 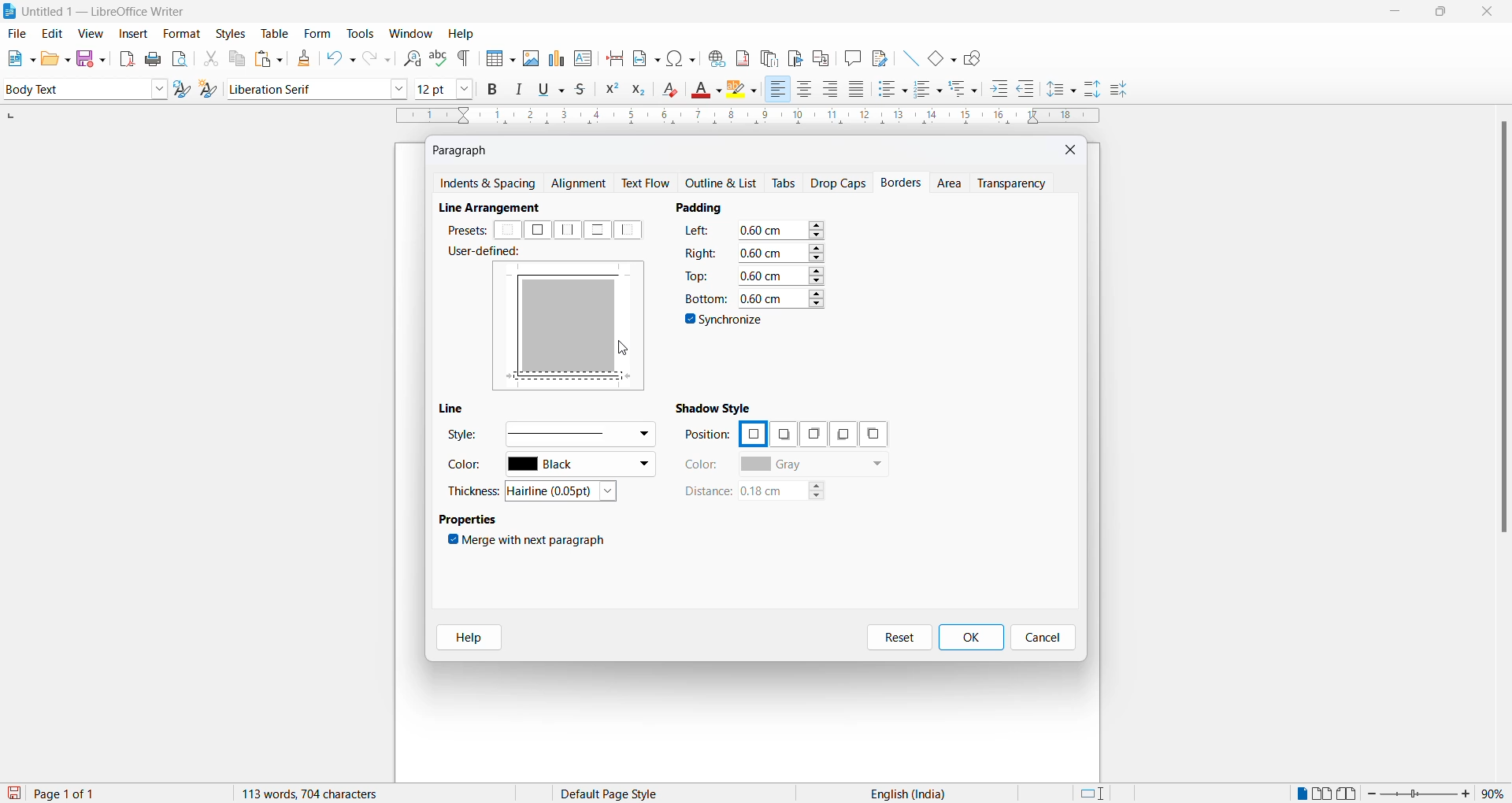 I want to click on italic, so click(x=522, y=90).